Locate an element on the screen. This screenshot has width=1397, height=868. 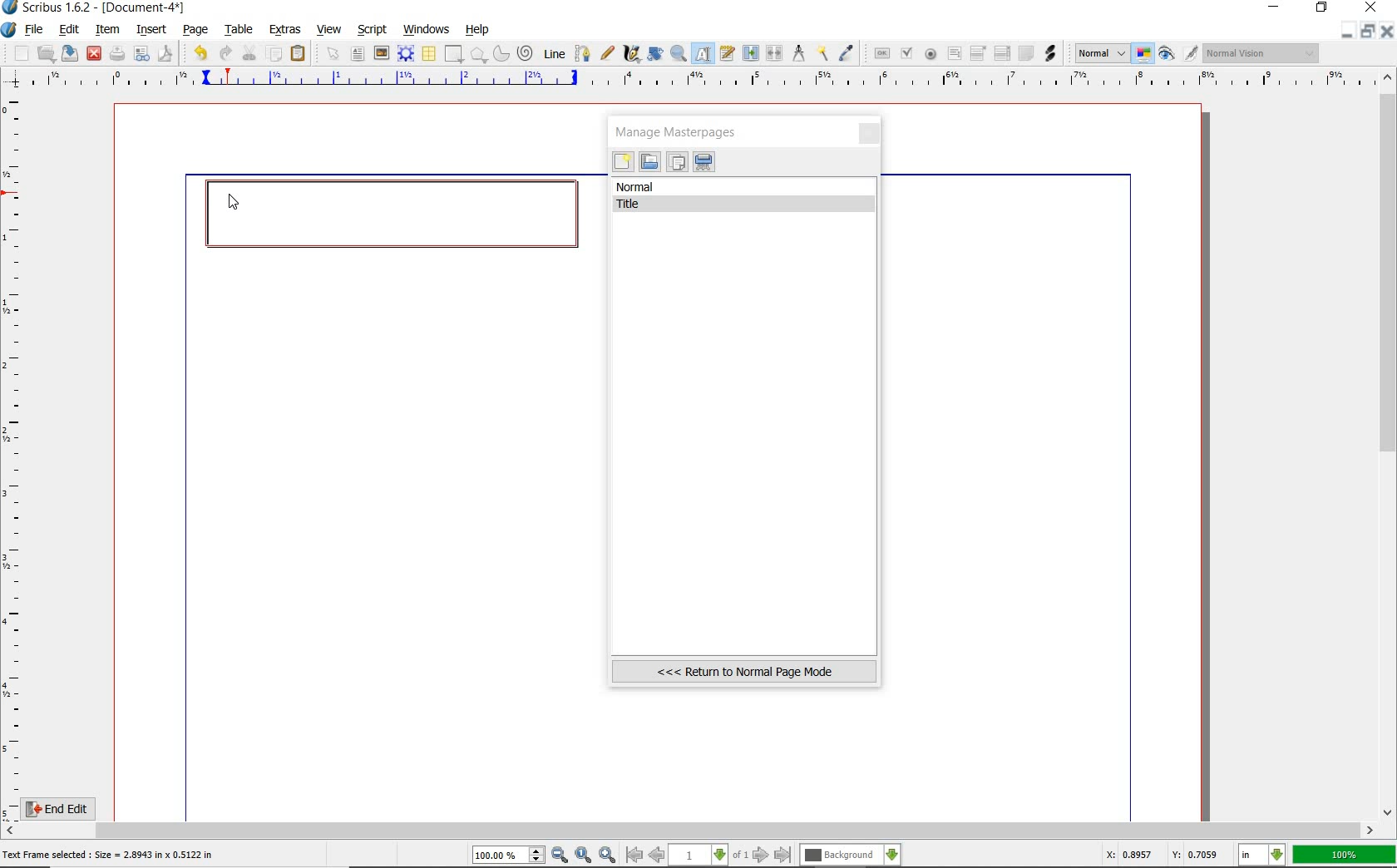
Background is located at coordinates (851, 856).